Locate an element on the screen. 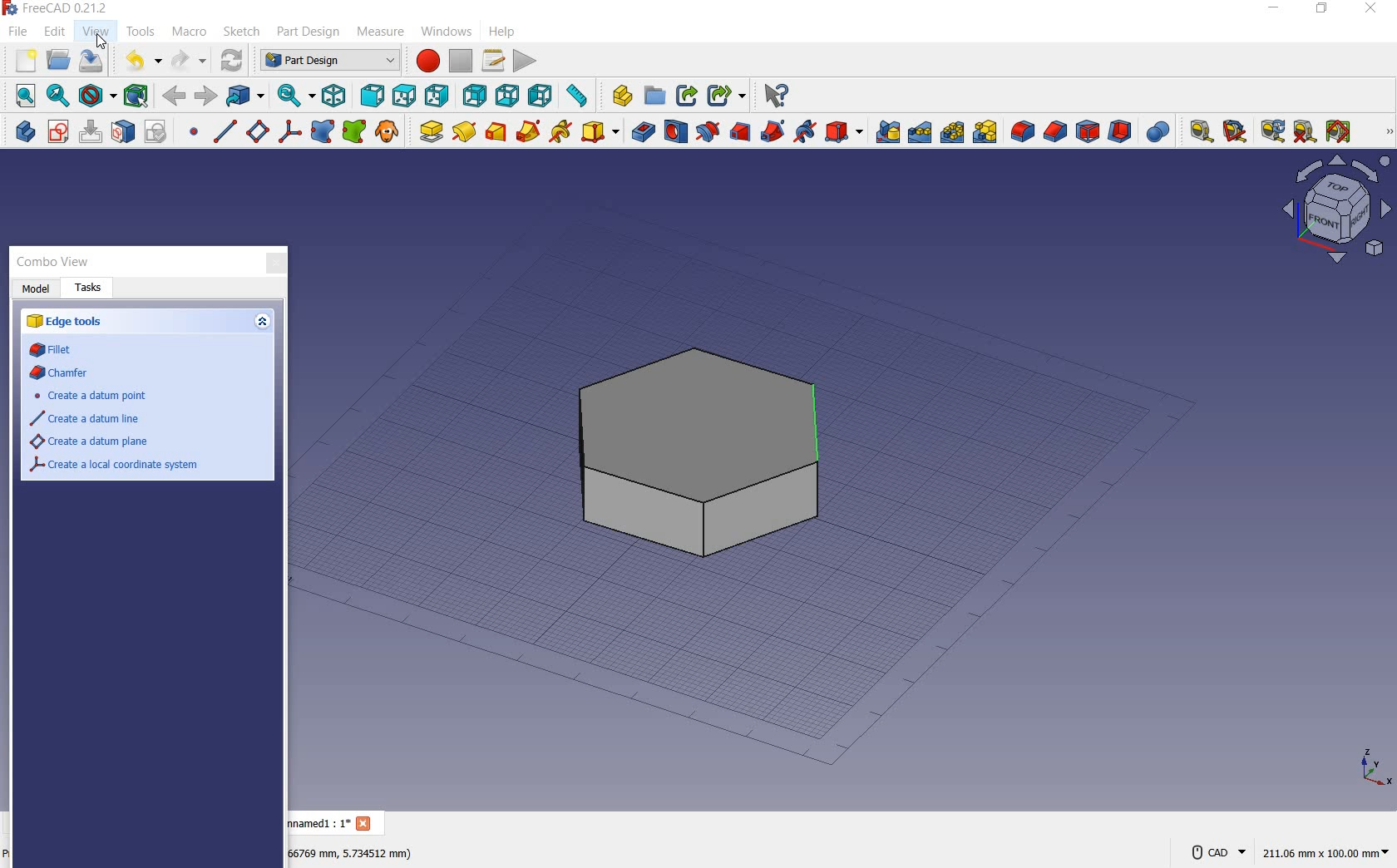 The image size is (1397, 868). MEASURE is located at coordinates (1386, 133).